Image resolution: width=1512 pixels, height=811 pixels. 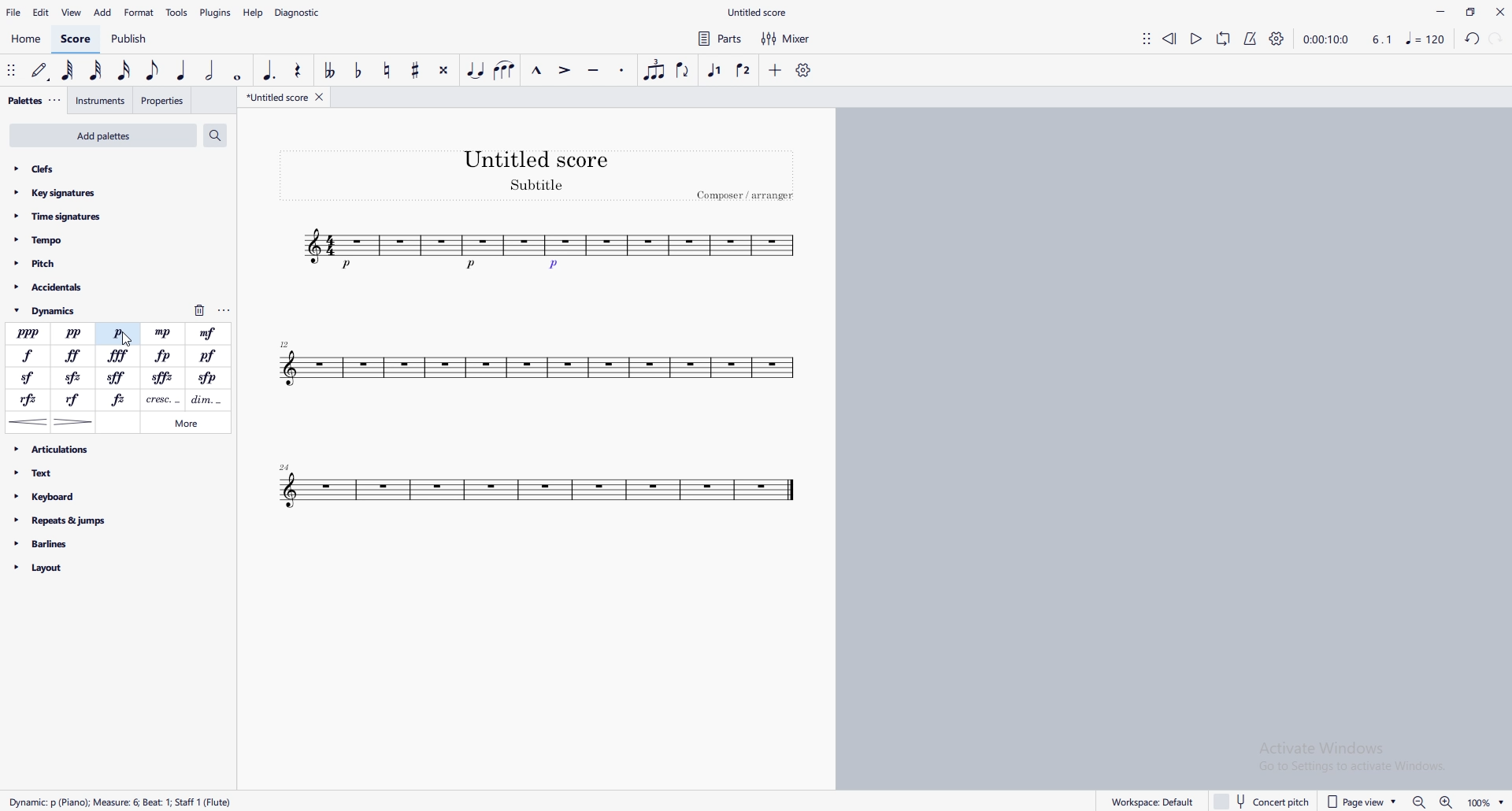 I want to click on plugins, so click(x=215, y=12).